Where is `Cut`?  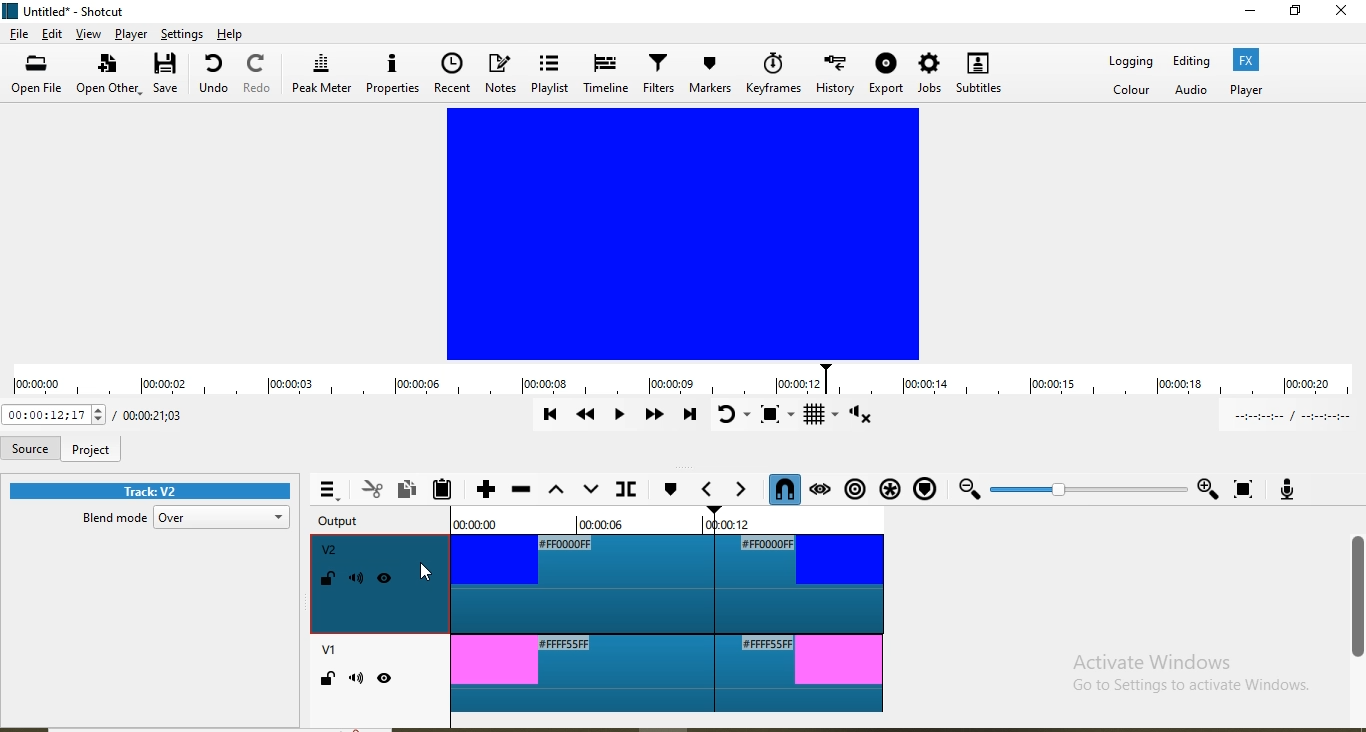 Cut is located at coordinates (372, 490).